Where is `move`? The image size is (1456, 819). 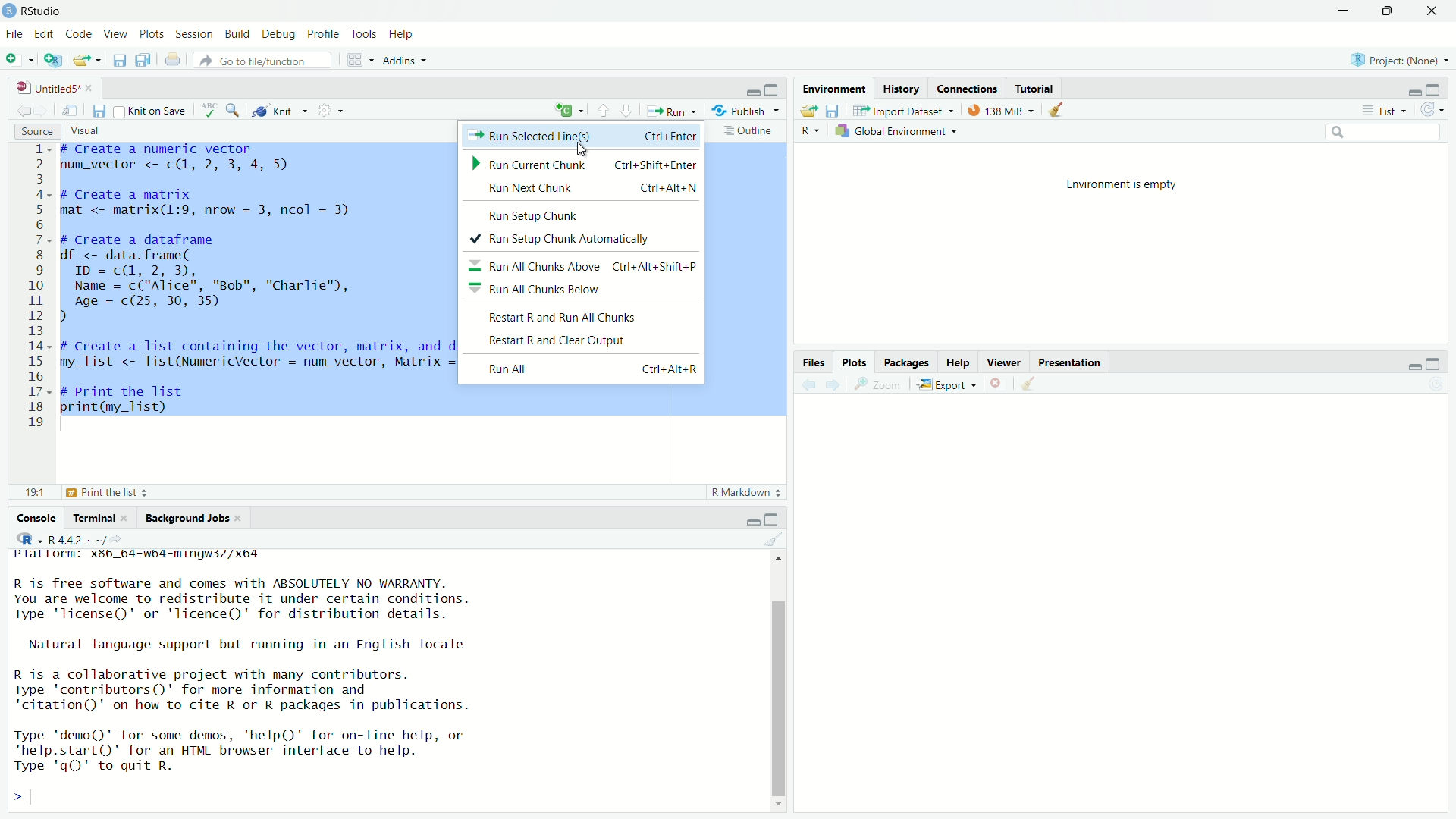
move is located at coordinates (73, 113).